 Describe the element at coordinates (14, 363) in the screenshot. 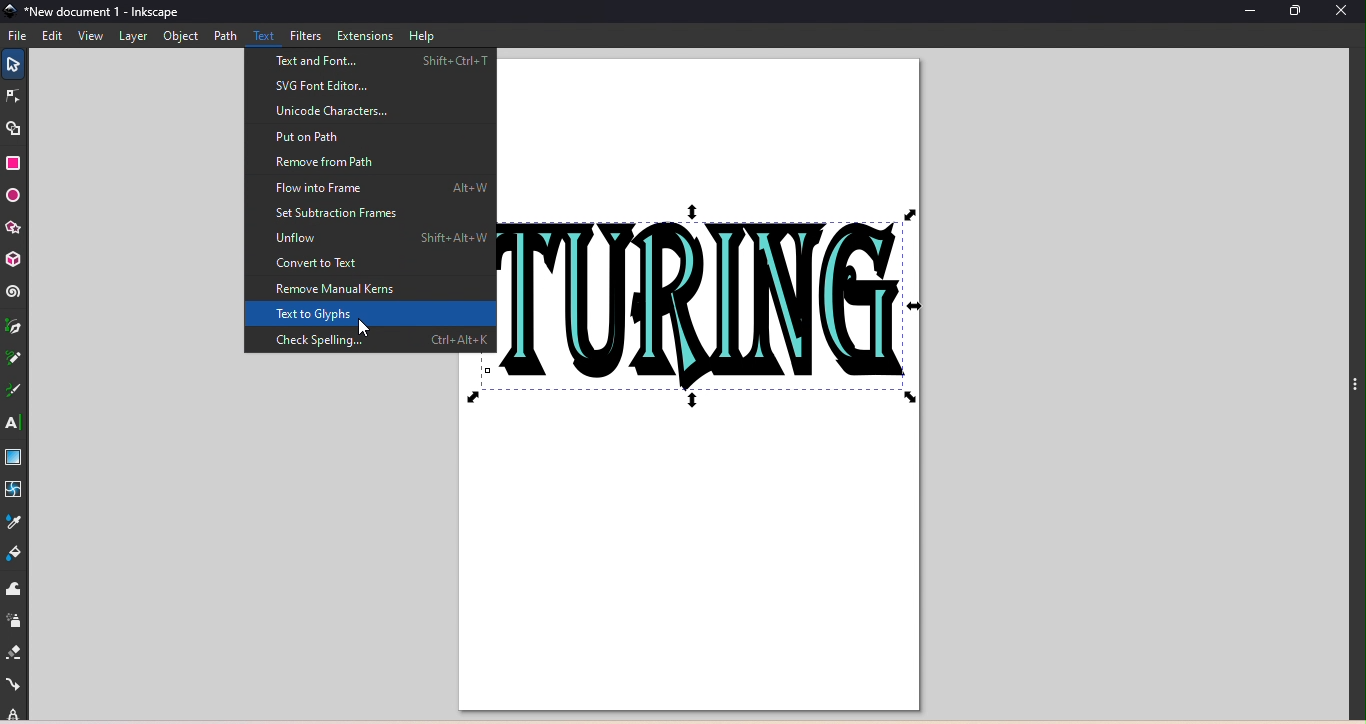

I see `Pencil tool` at that location.